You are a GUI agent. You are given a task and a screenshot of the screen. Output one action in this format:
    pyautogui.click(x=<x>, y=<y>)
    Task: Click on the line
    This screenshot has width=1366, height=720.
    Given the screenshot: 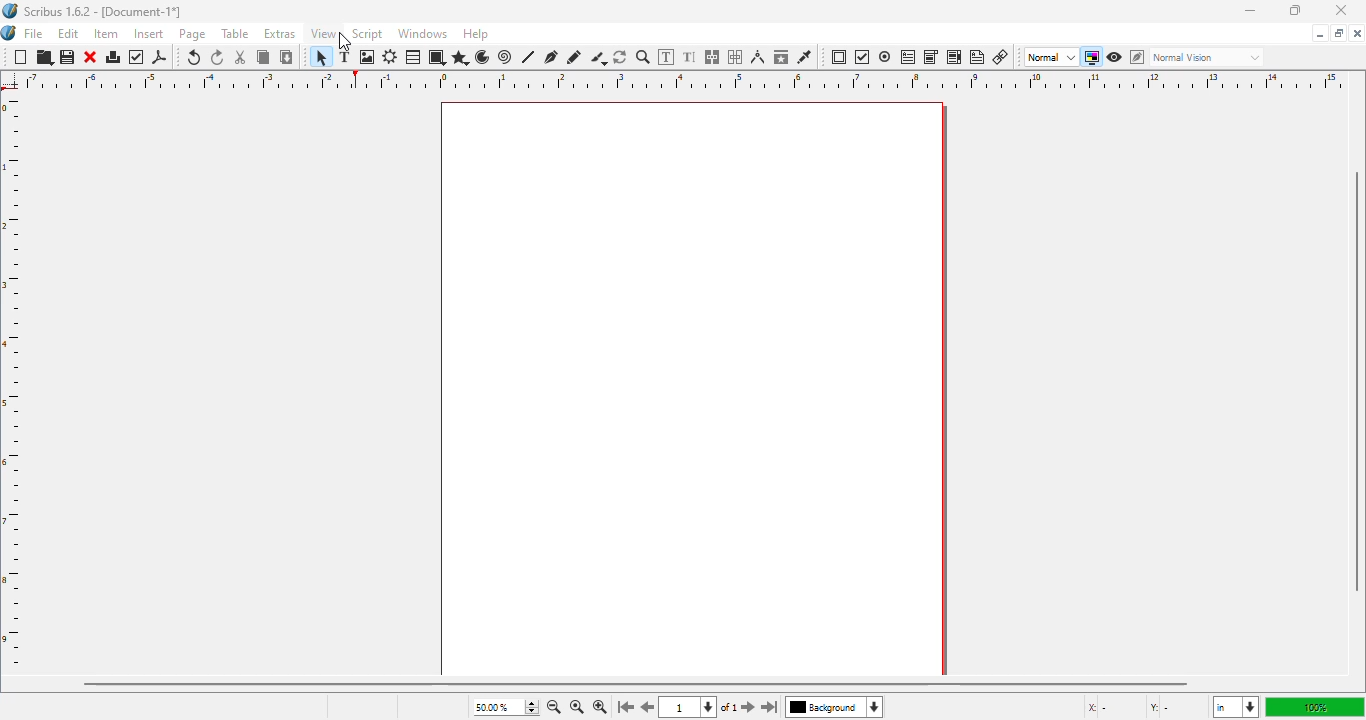 What is the action you would take?
    pyautogui.click(x=529, y=57)
    